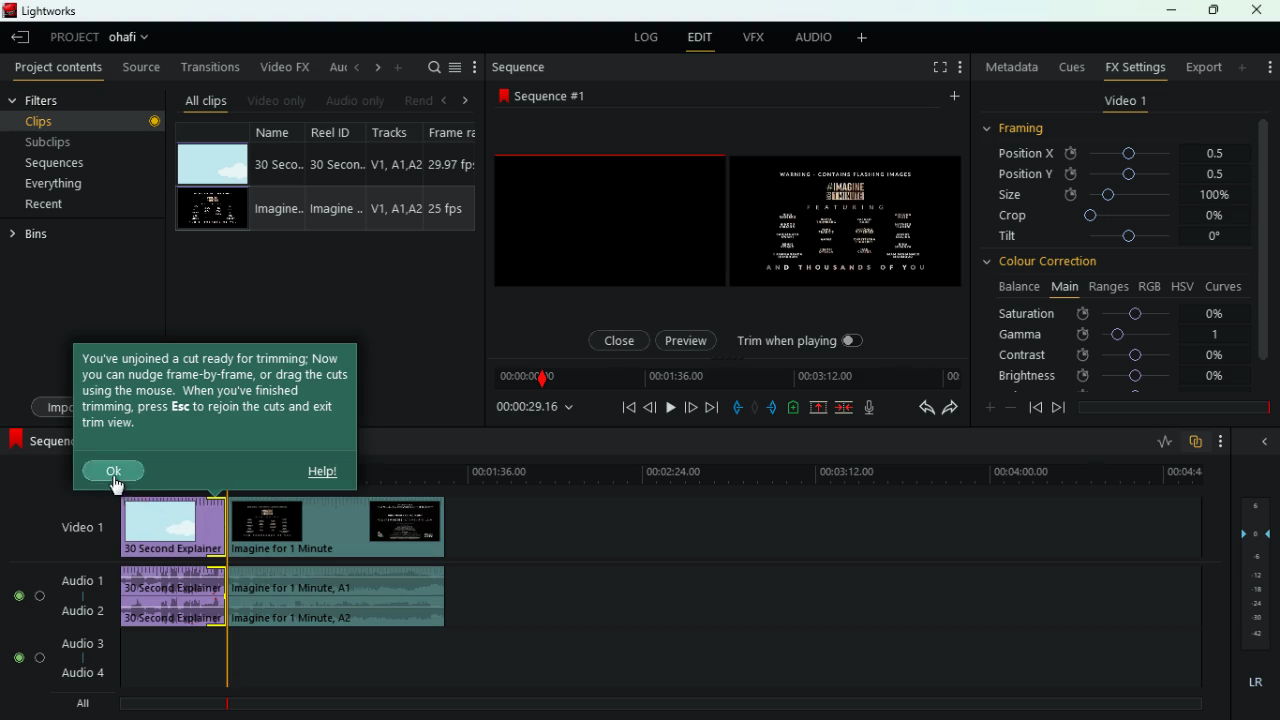  Describe the element at coordinates (355, 67) in the screenshot. I see `back` at that location.